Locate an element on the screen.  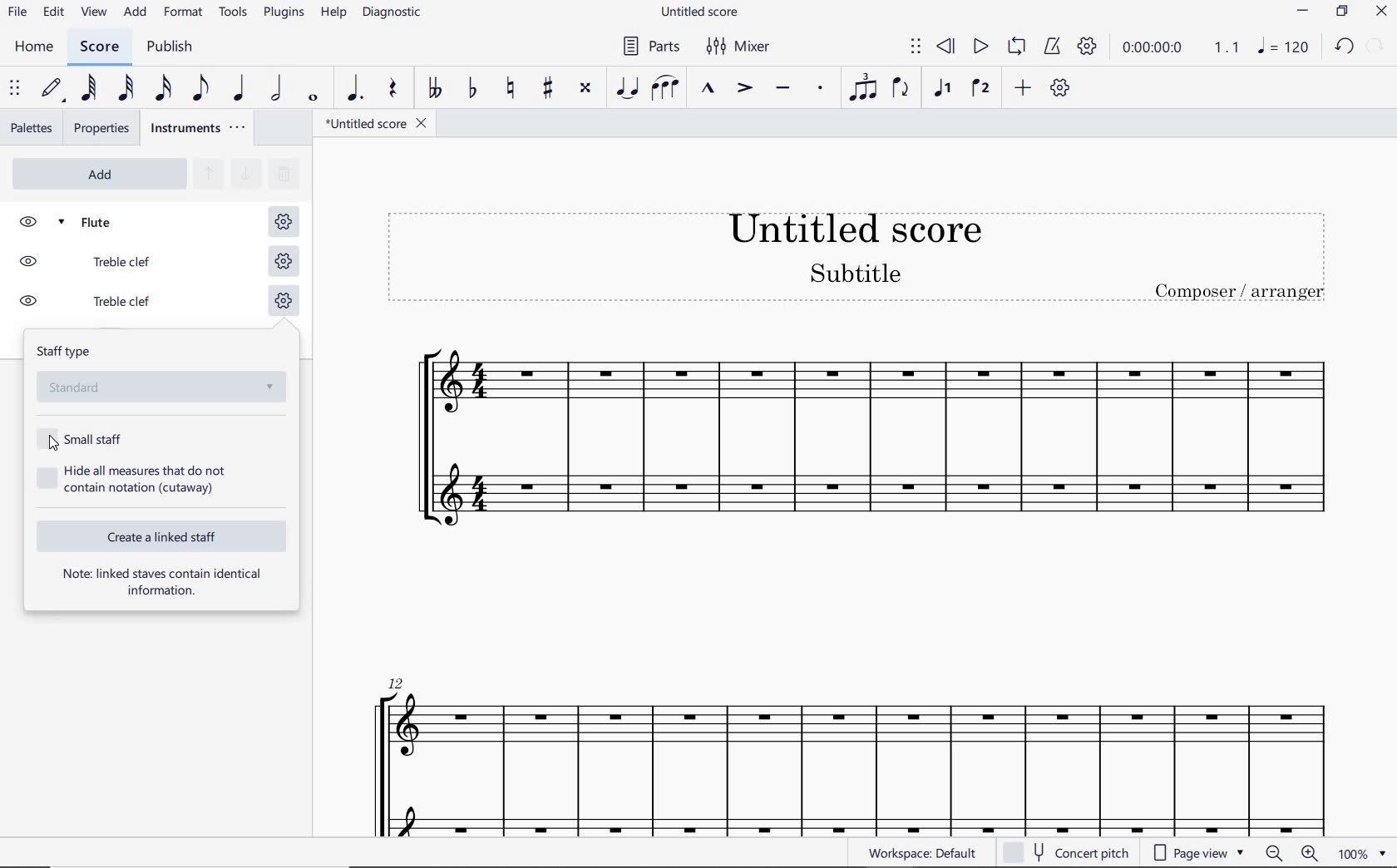
MIXER is located at coordinates (740, 49).